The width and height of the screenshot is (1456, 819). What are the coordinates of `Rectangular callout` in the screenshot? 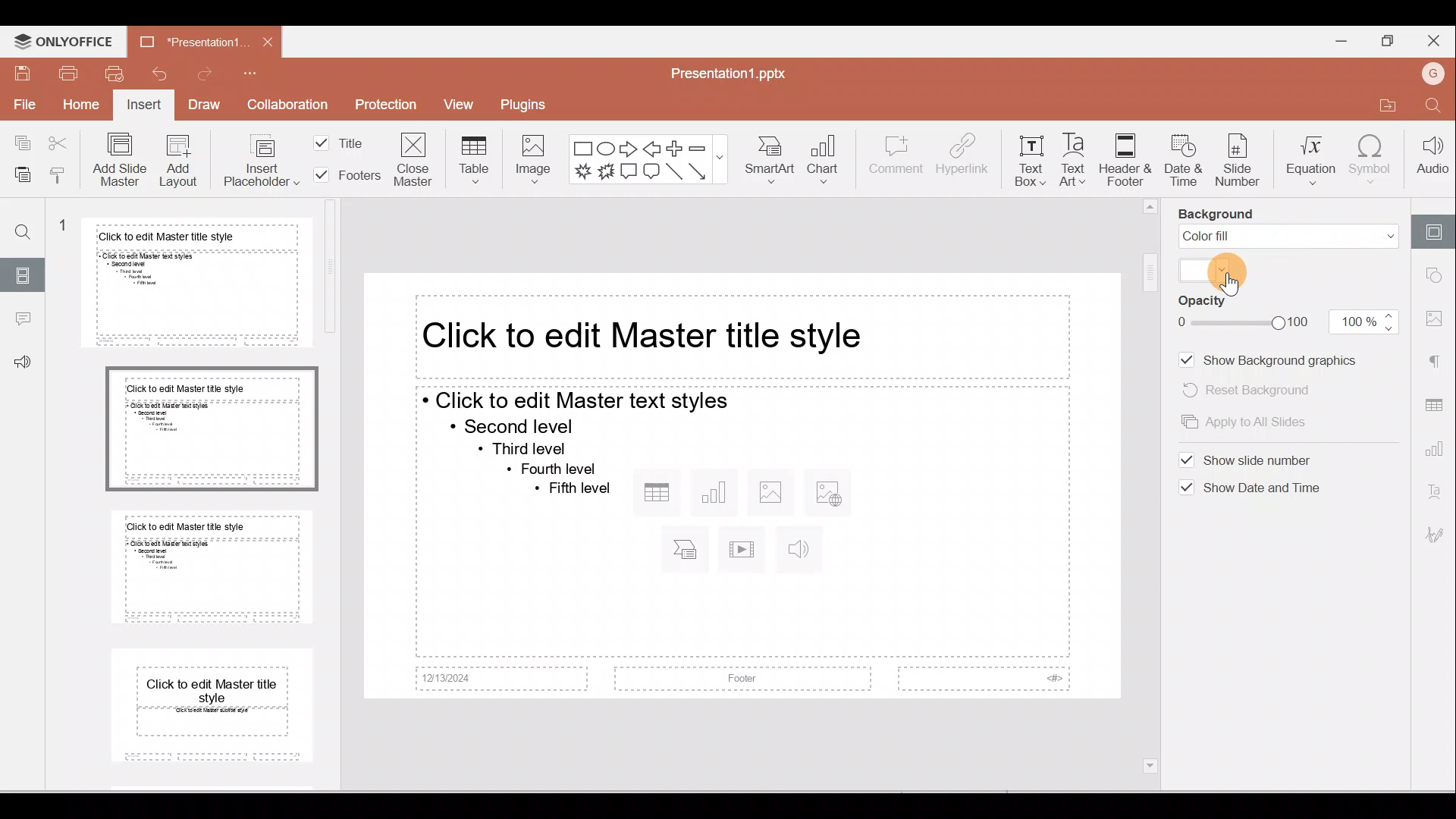 It's located at (629, 174).